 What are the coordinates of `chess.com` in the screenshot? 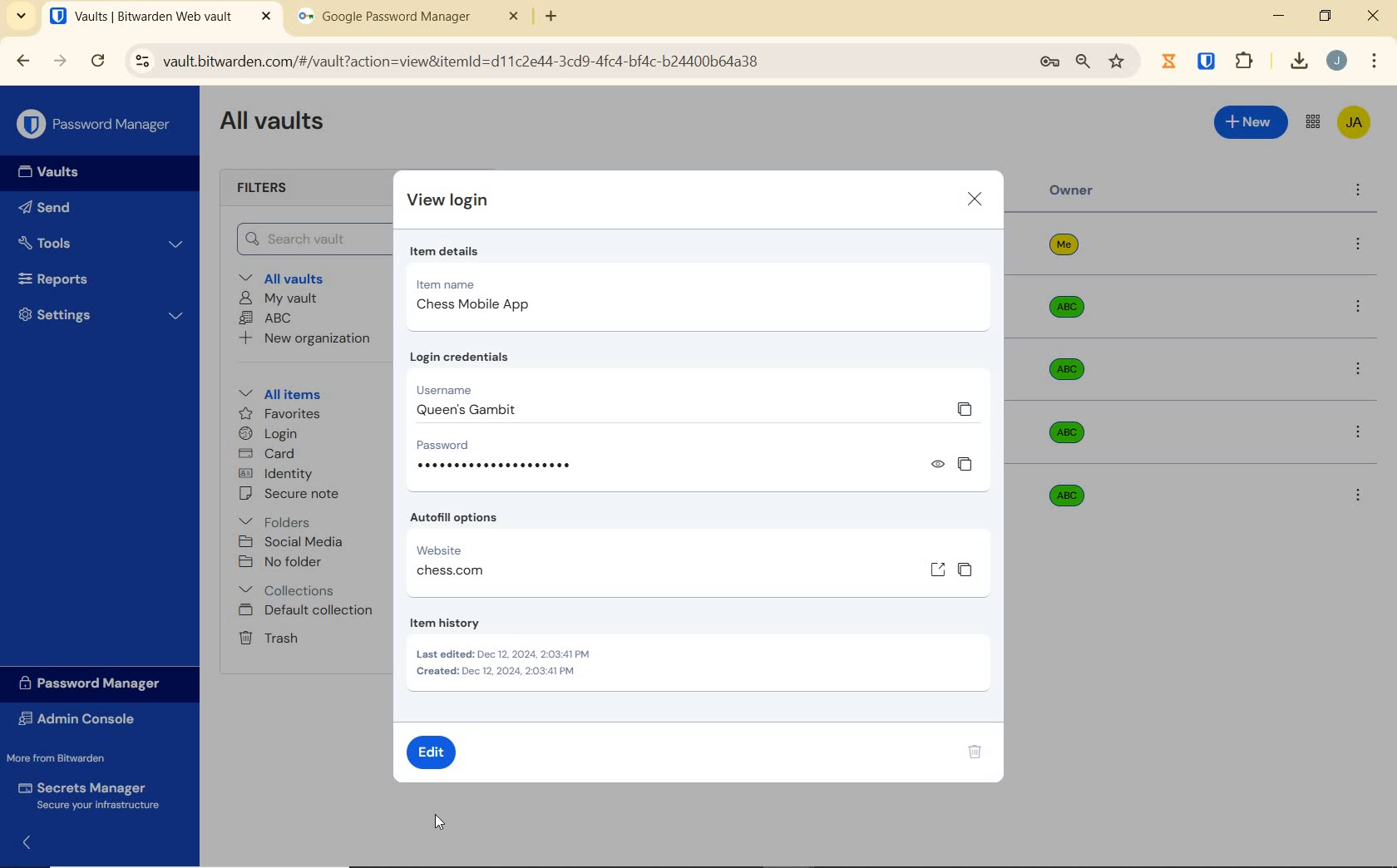 It's located at (450, 570).